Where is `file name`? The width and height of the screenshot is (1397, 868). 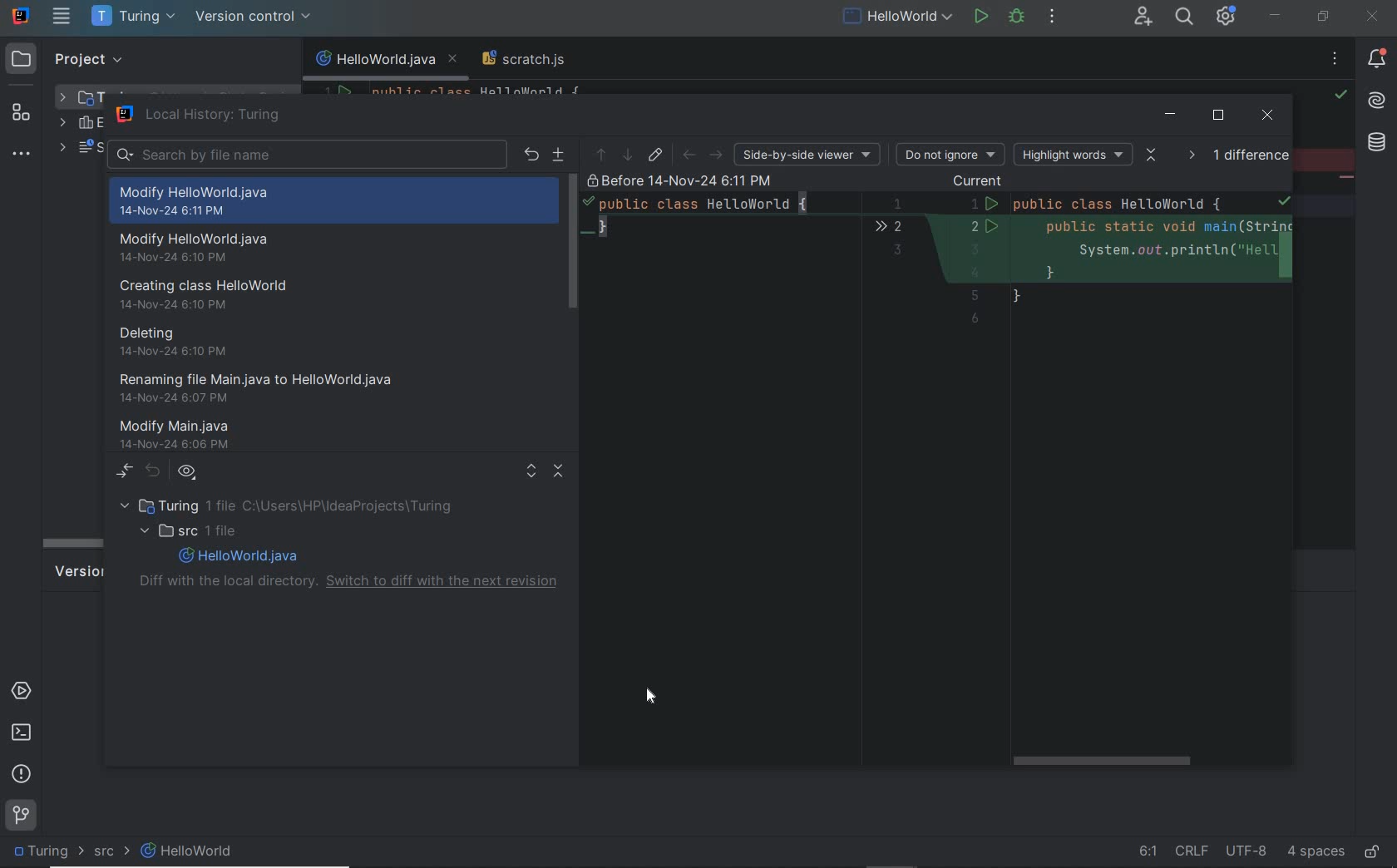 file name is located at coordinates (373, 61).